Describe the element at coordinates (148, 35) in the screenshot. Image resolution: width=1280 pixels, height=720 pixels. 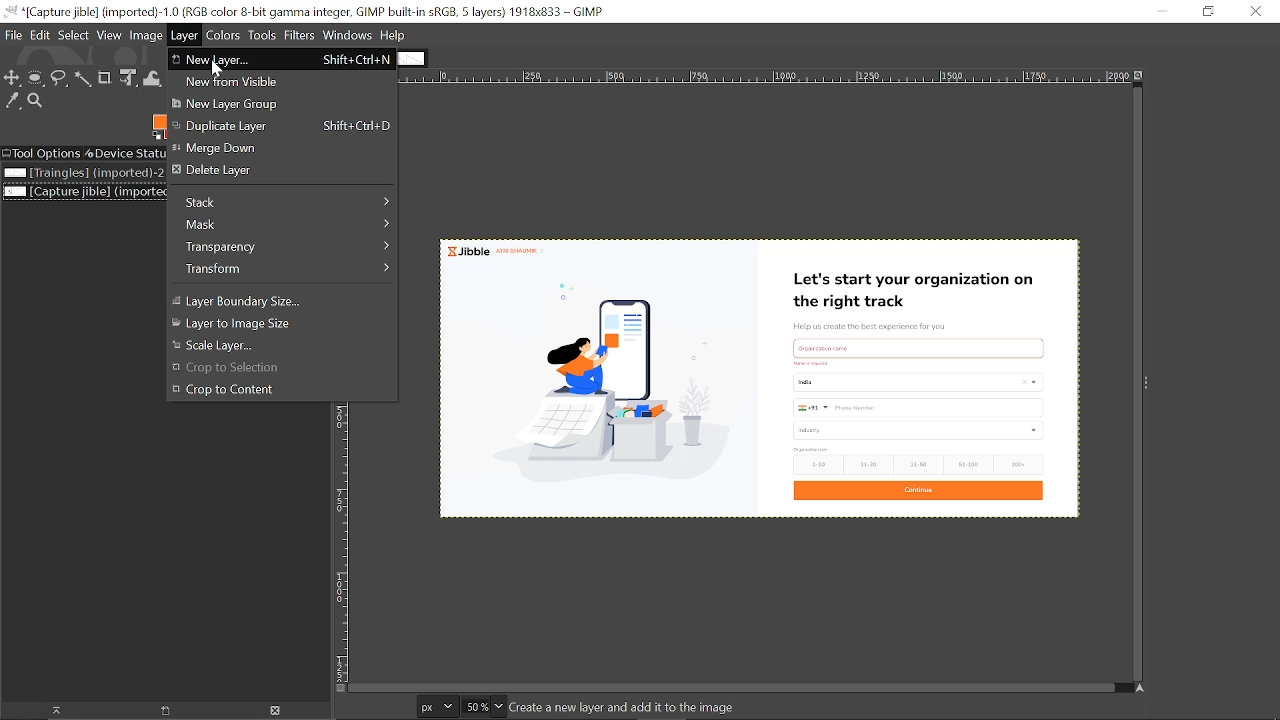
I see `image` at that location.